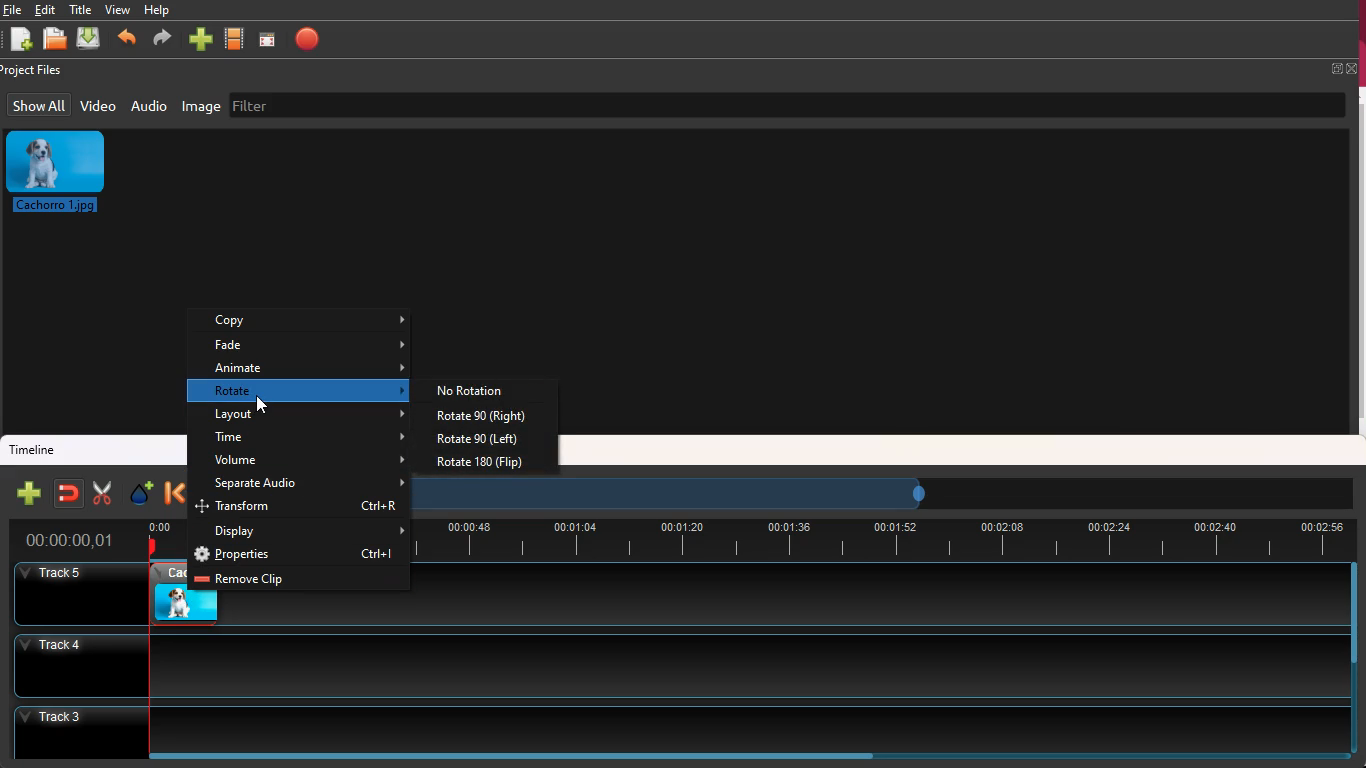  I want to click on time, so click(308, 439).